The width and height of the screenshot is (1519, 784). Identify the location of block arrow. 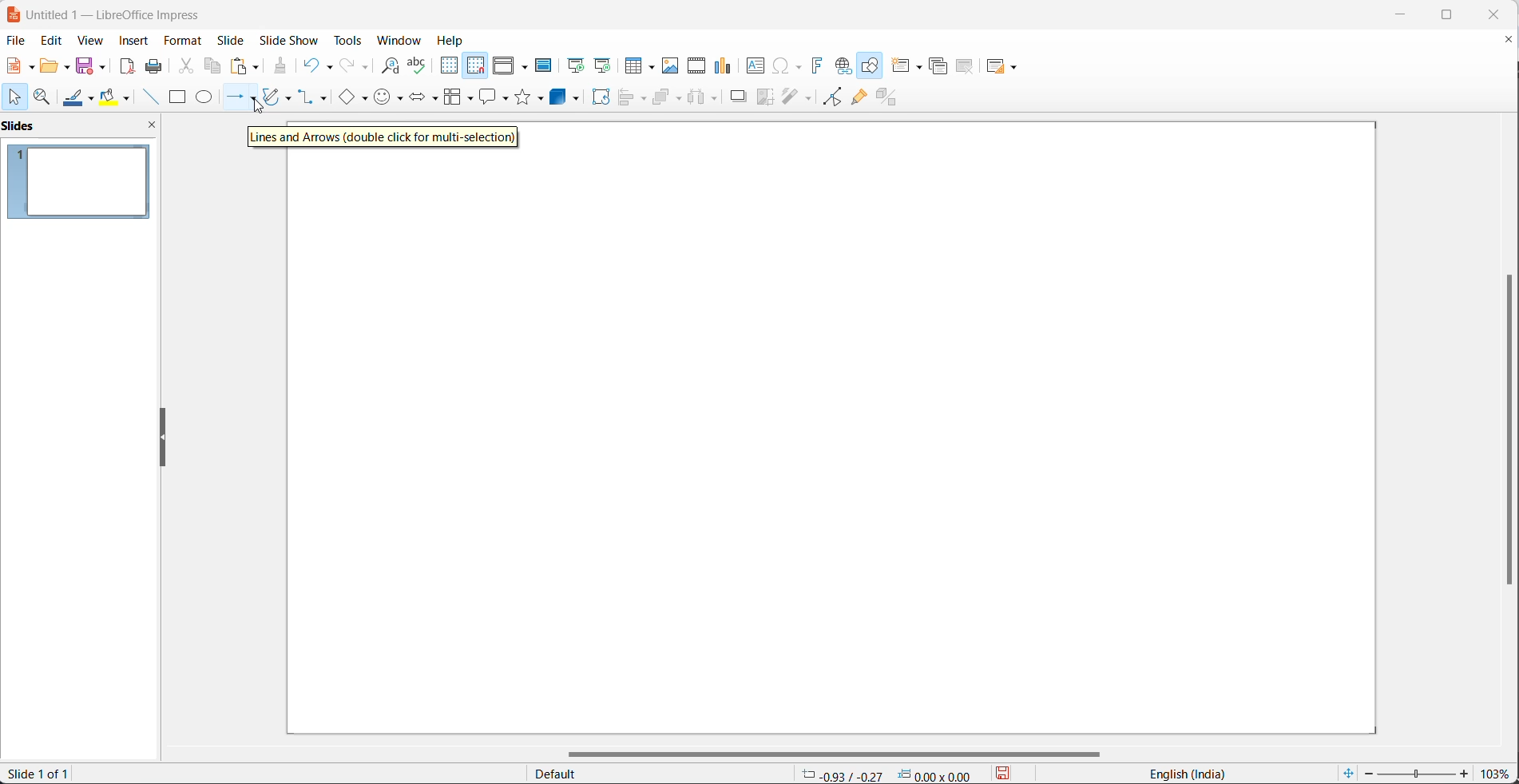
(420, 99).